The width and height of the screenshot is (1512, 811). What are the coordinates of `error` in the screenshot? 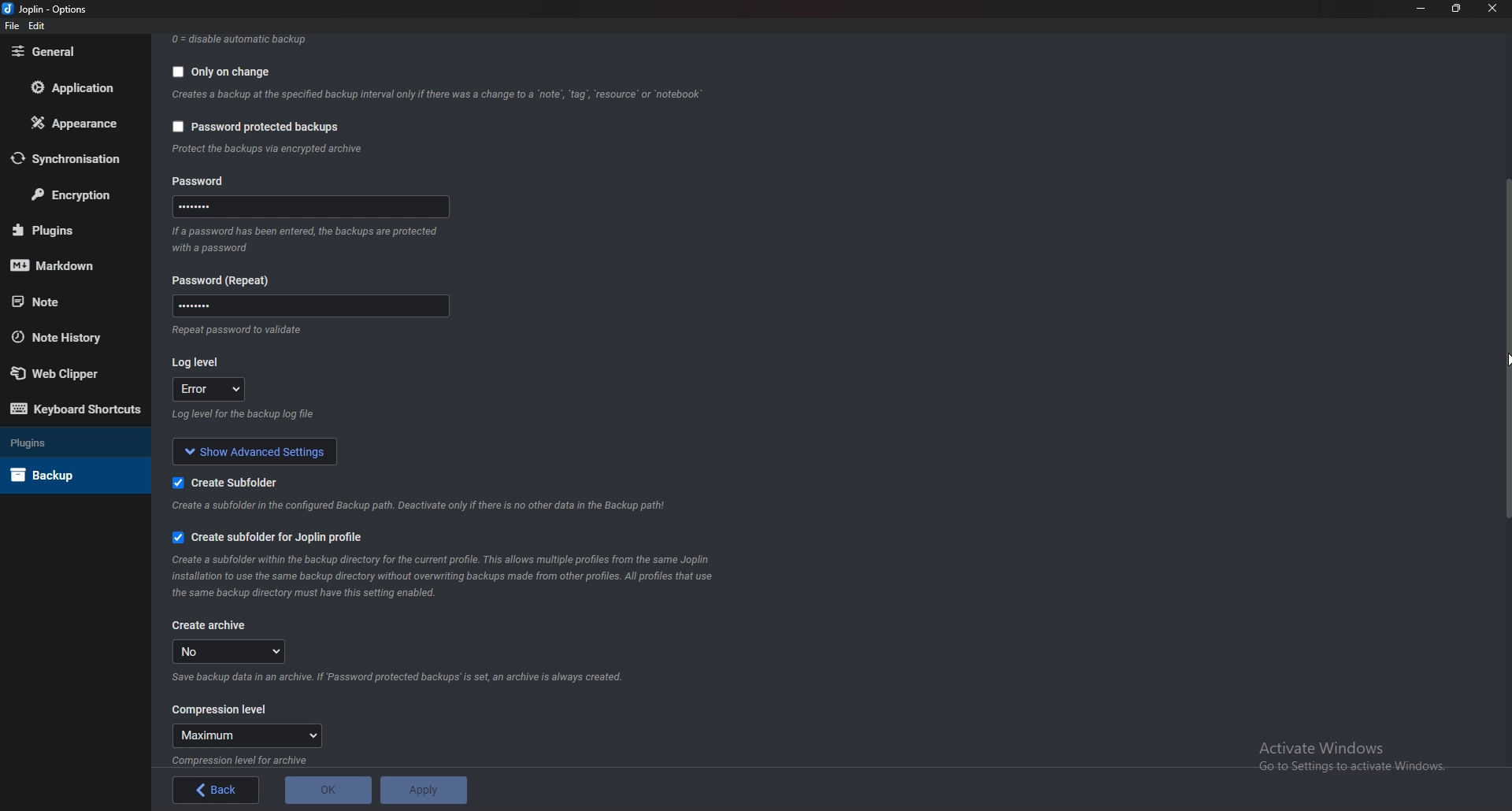 It's located at (207, 388).